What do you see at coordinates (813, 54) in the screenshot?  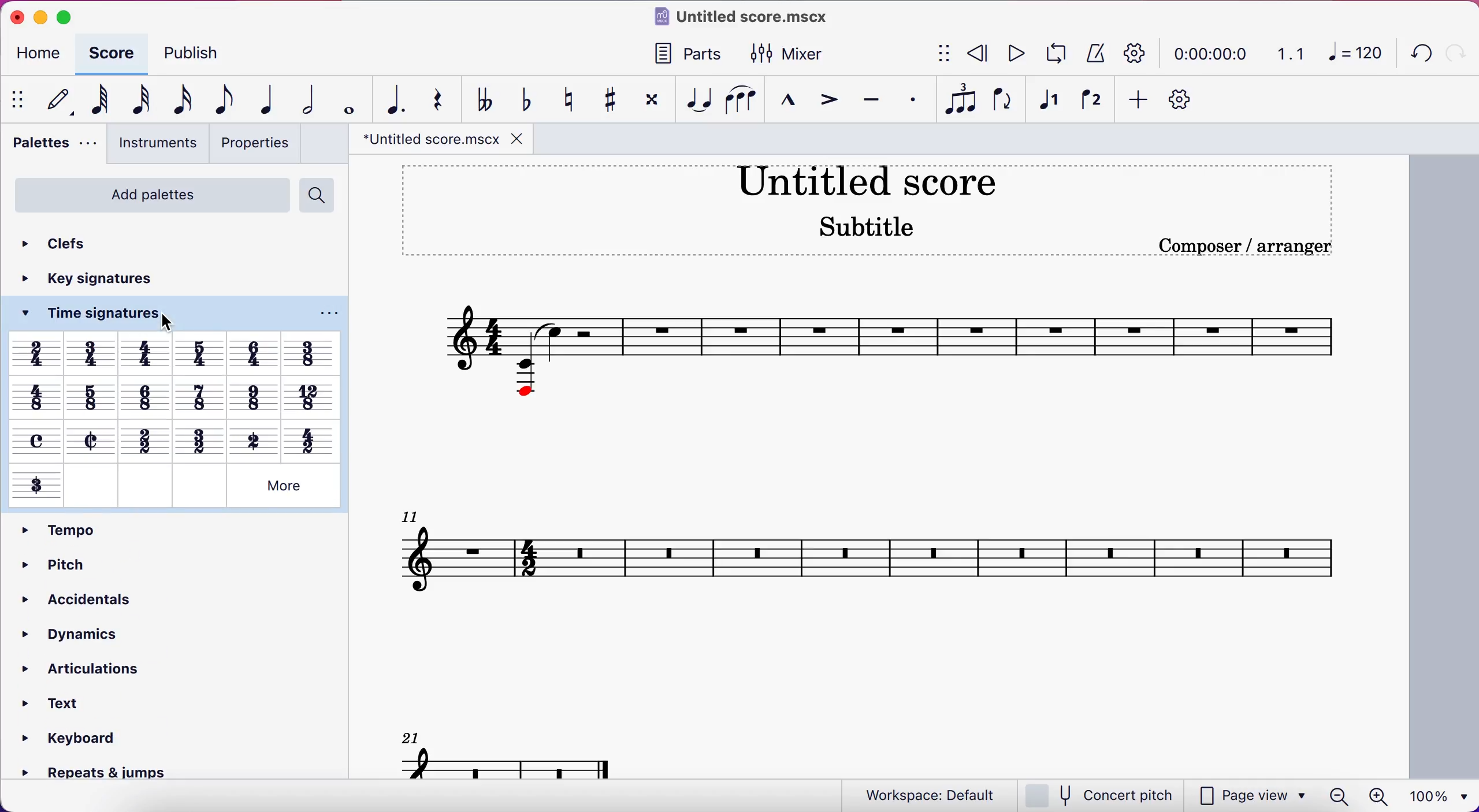 I see `mixer` at bounding box center [813, 54].